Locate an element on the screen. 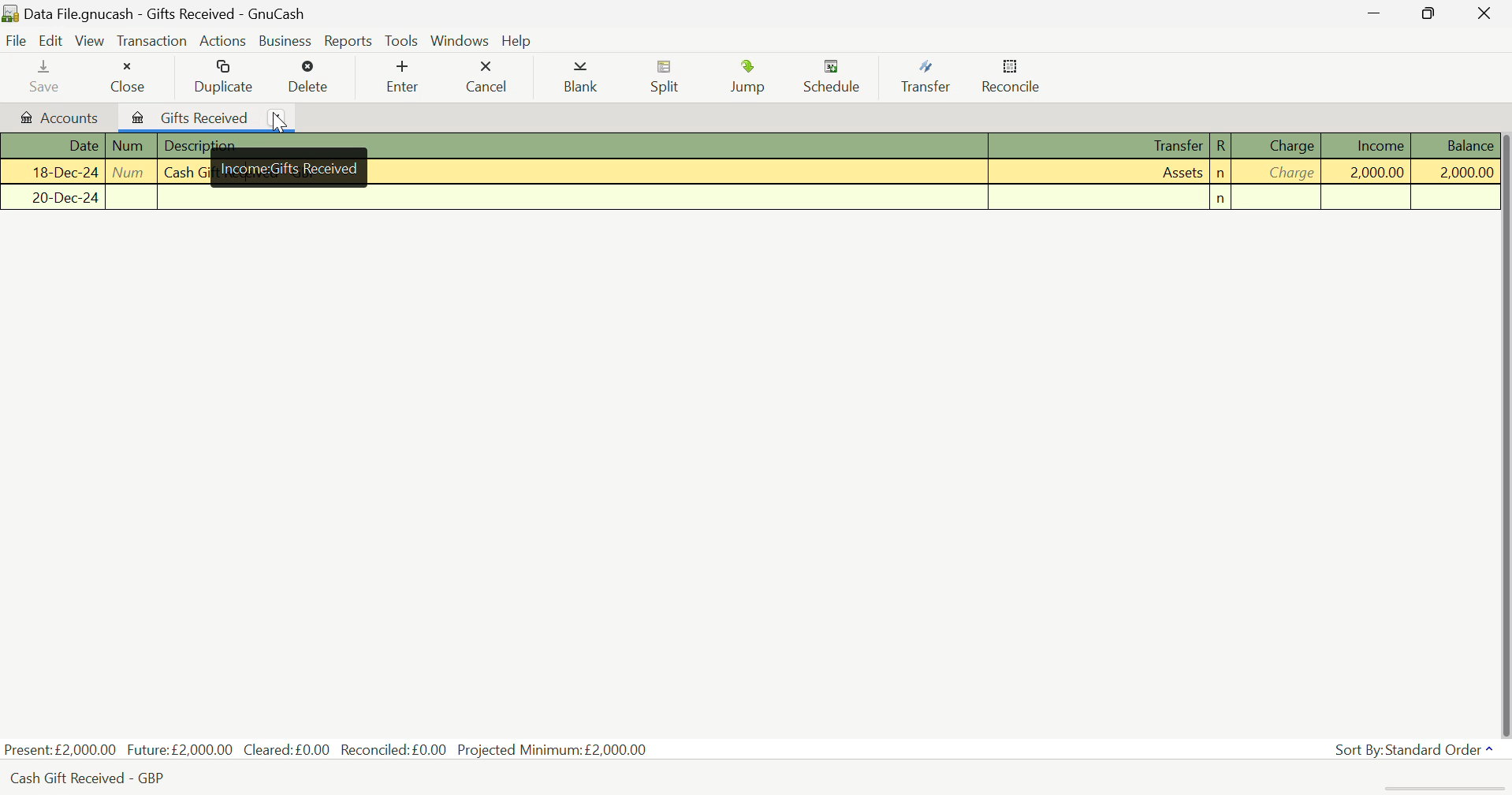 The height and width of the screenshot is (795, 1512). Num is located at coordinates (132, 198).